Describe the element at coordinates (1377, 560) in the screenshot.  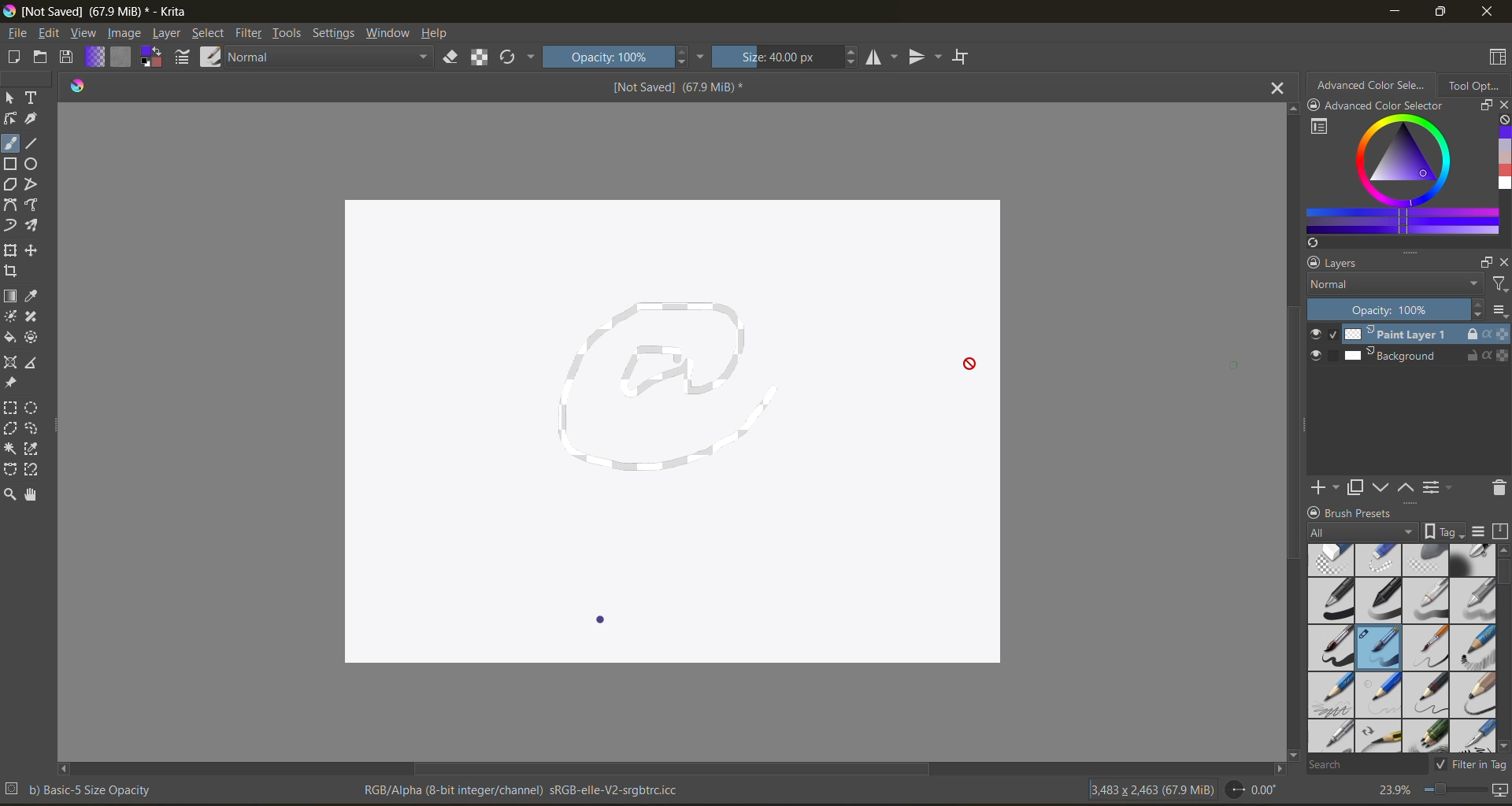
I see `thin eraser` at that location.